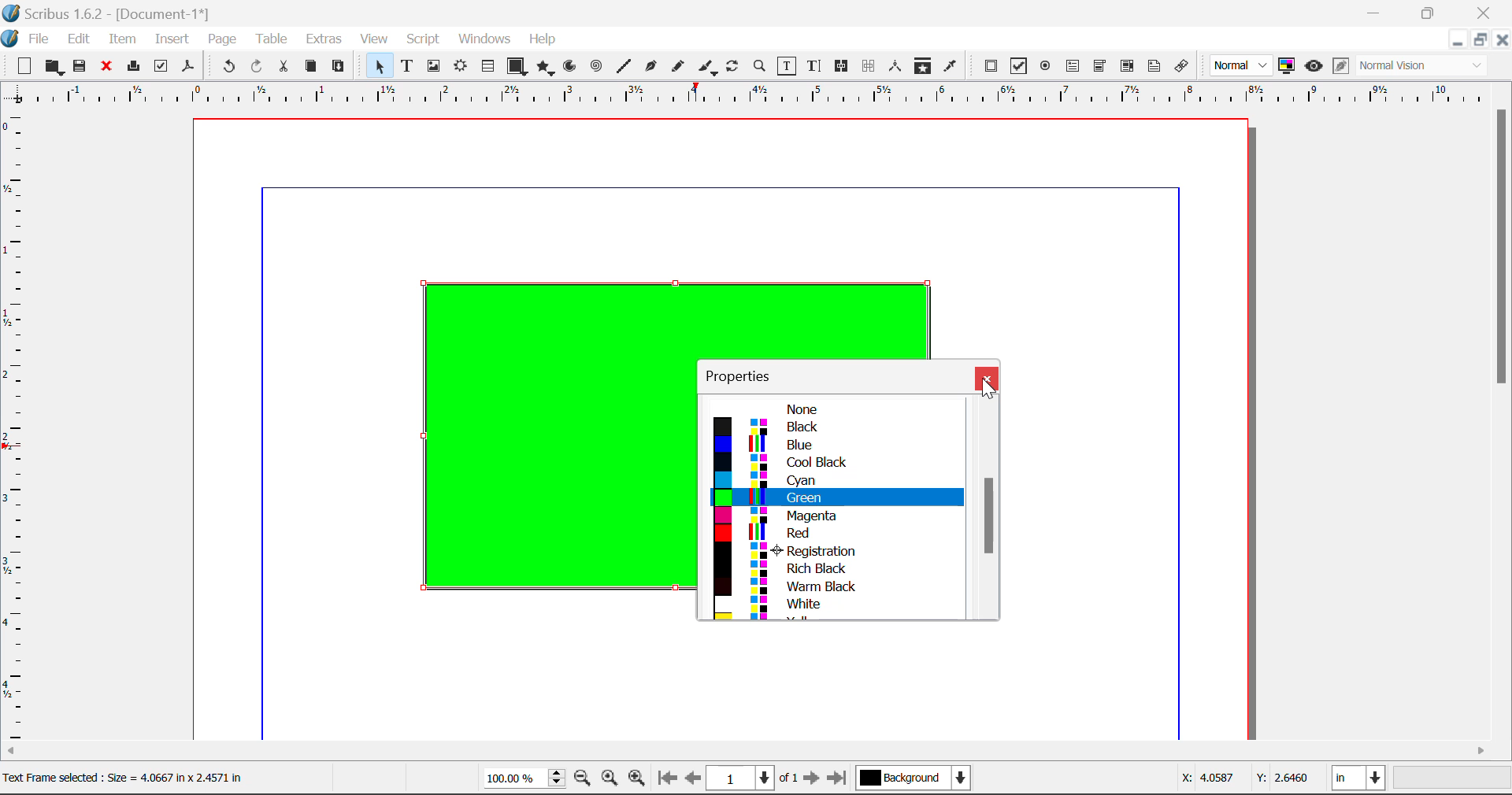  What do you see at coordinates (1242, 66) in the screenshot?
I see `Preview Mode` at bounding box center [1242, 66].